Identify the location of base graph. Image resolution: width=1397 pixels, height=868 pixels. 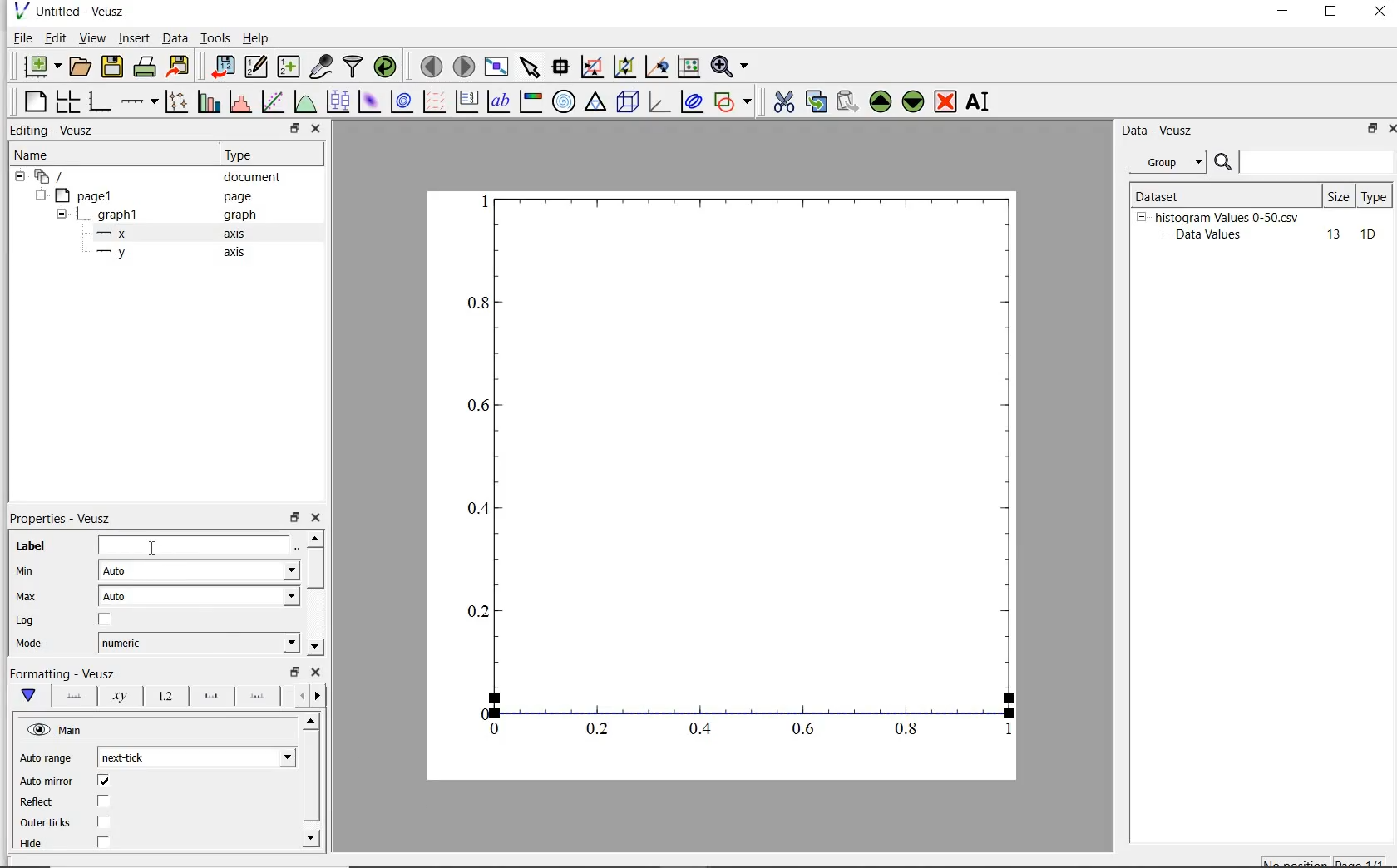
(101, 101).